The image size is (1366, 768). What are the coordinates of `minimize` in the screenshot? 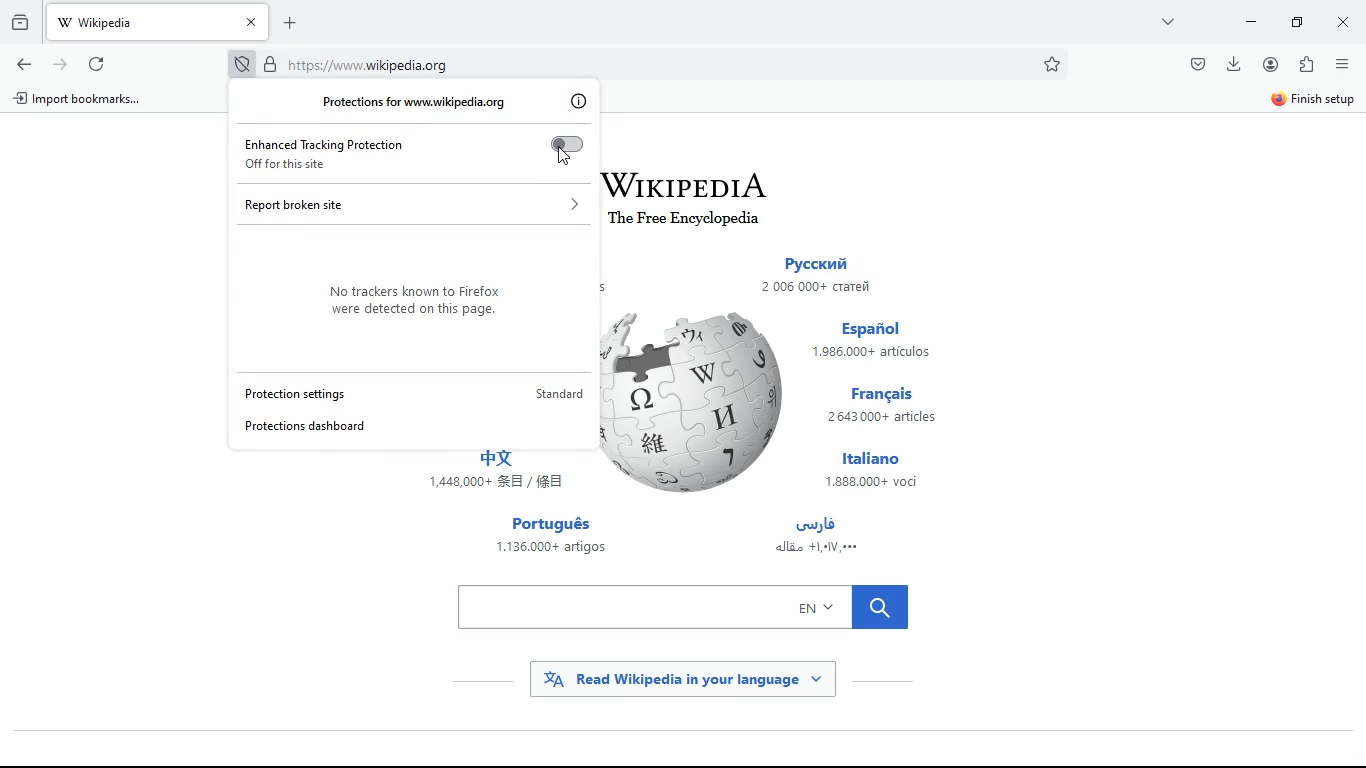 It's located at (1252, 23).